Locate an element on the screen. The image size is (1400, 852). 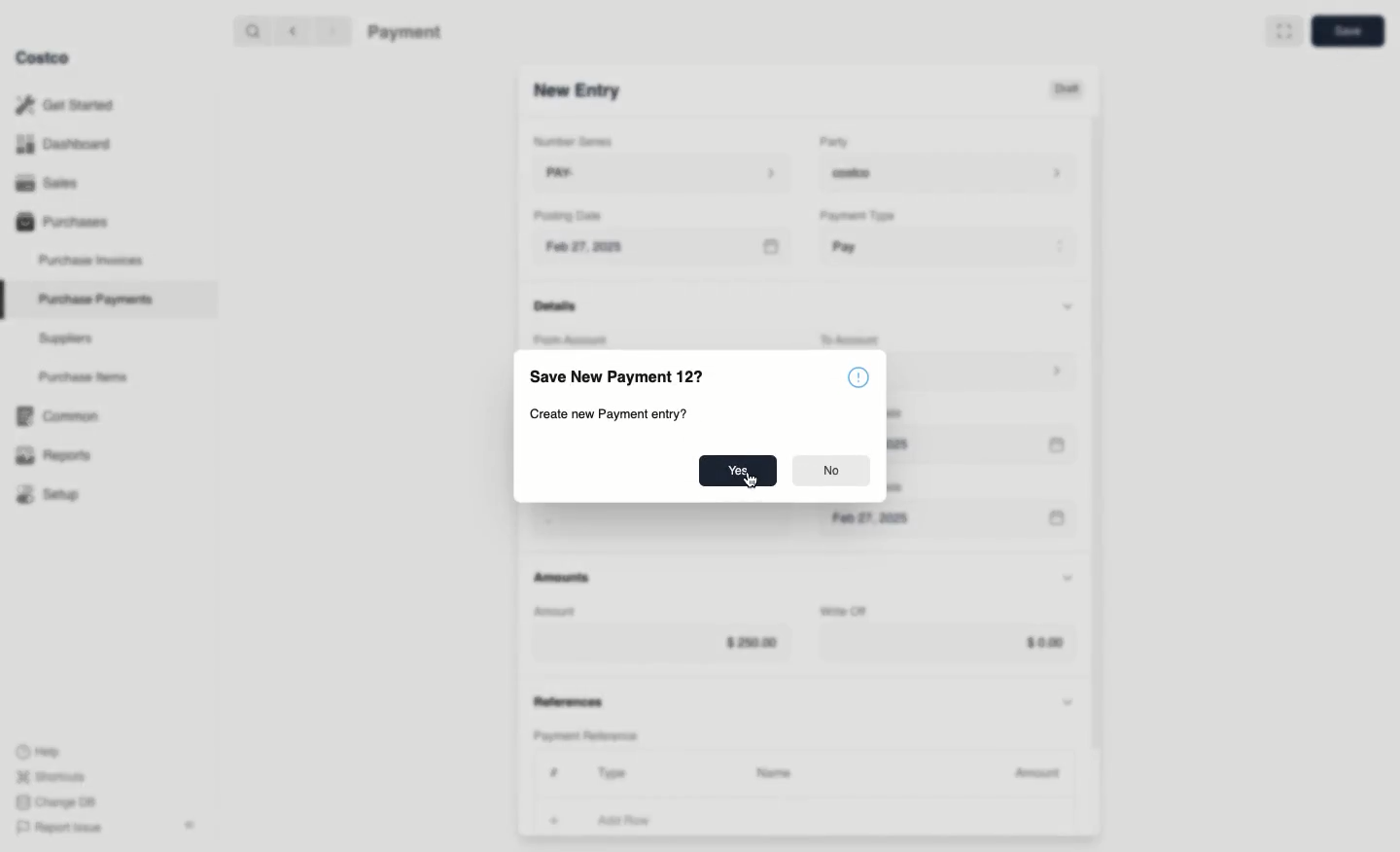
PAY-1003 saved is located at coordinates (1100, 809).